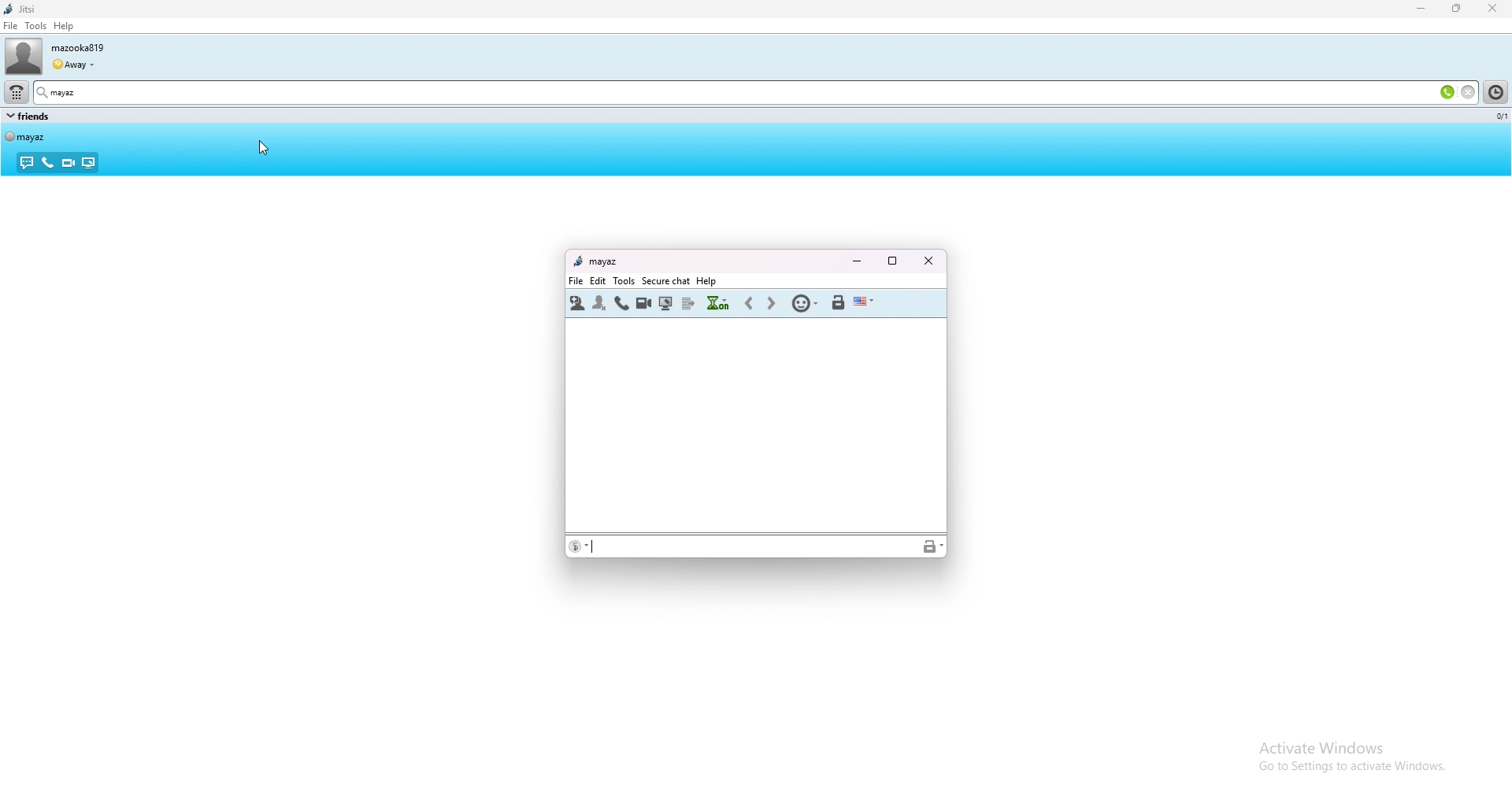 This screenshot has height=811, width=1512. I want to click on mayaz, so click(88, 91).